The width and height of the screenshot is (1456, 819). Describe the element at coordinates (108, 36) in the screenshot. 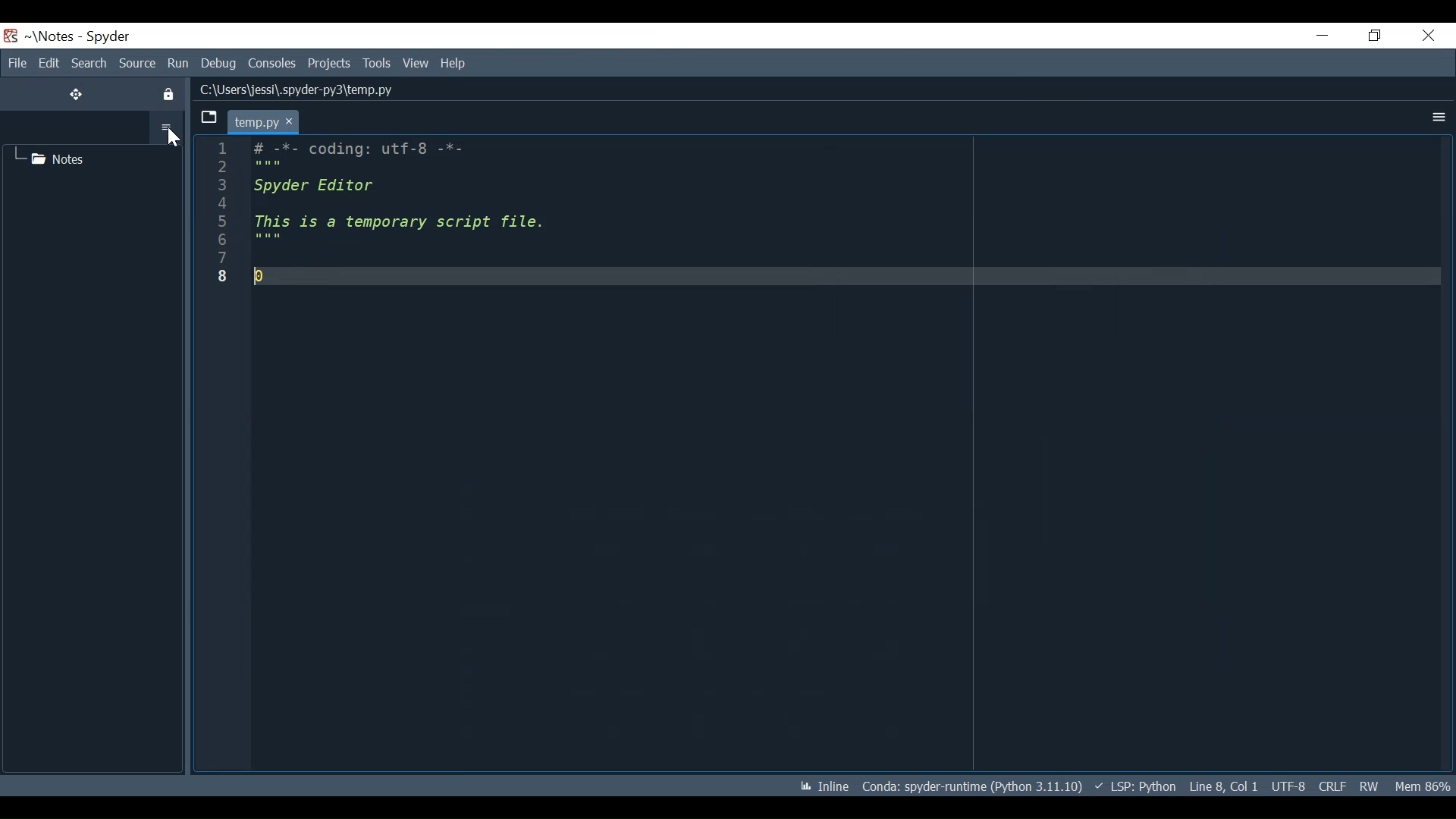

I see `Spyder` at that location.